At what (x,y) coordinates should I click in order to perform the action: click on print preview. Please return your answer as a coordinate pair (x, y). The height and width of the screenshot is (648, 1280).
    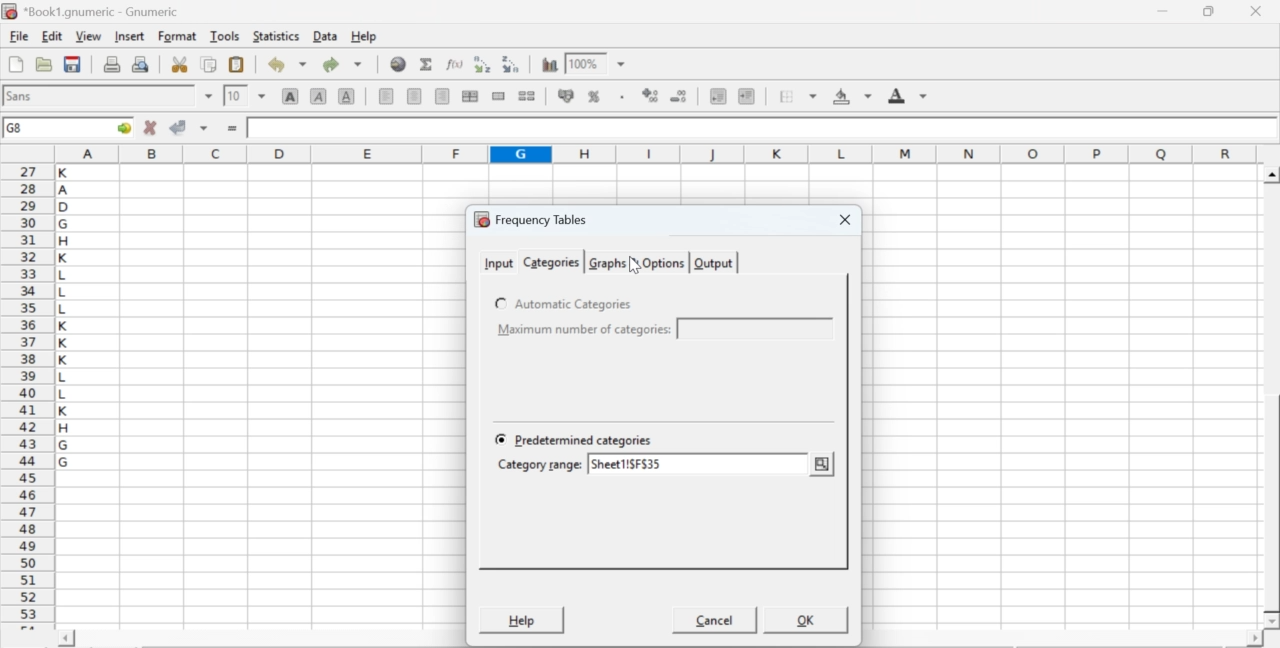
    Looking at the image, I should click on (141, 63).